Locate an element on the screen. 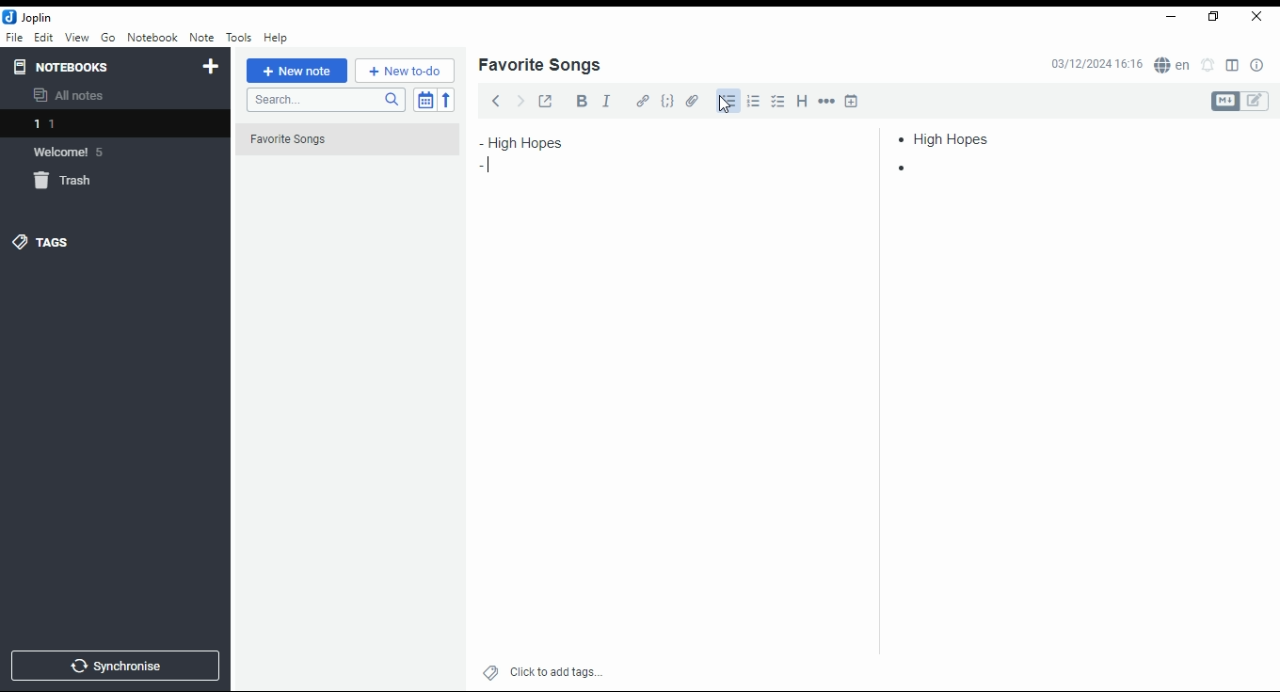  trash is located at coordinates (74, 184).